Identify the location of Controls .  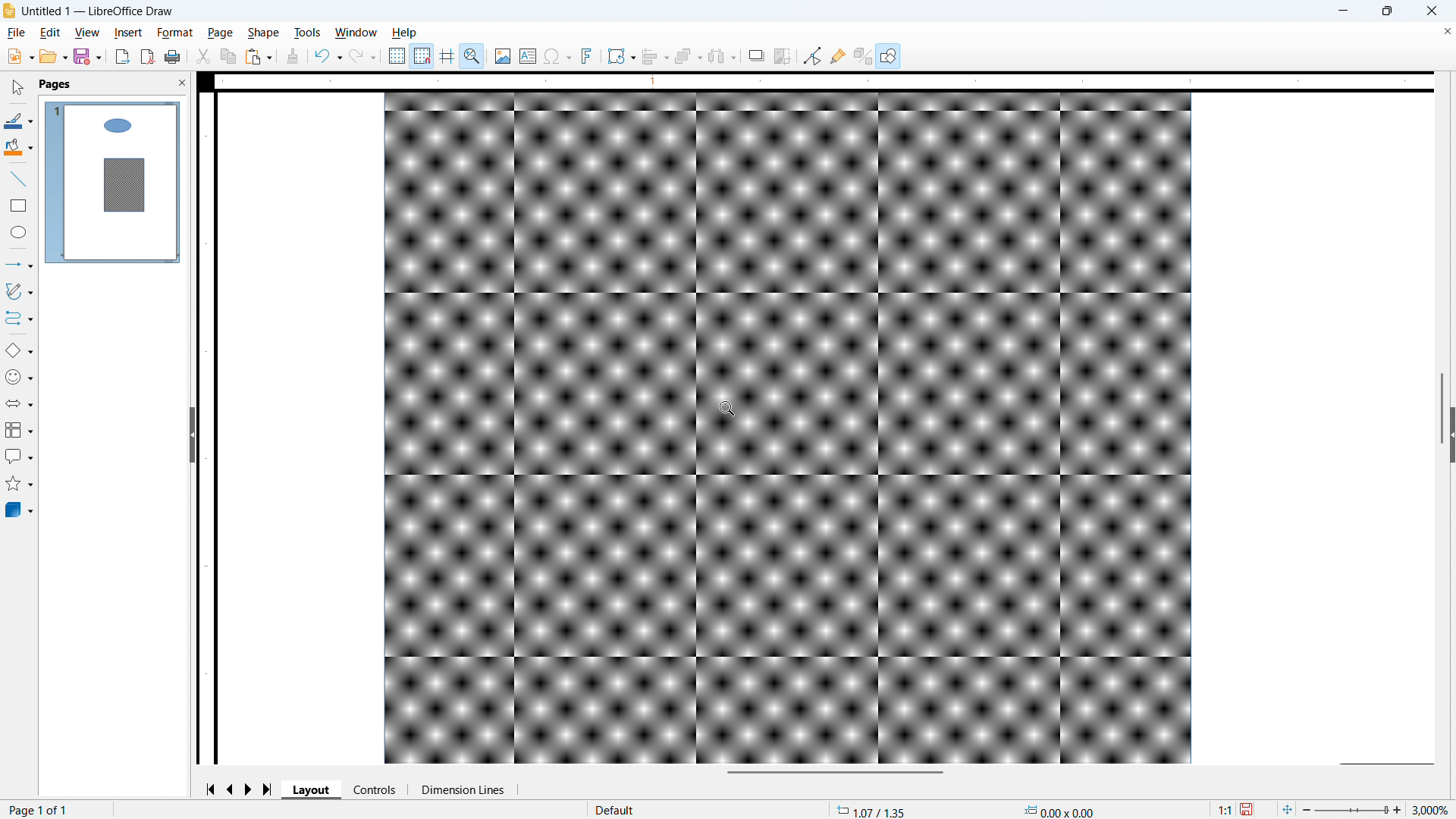
(376, 790).